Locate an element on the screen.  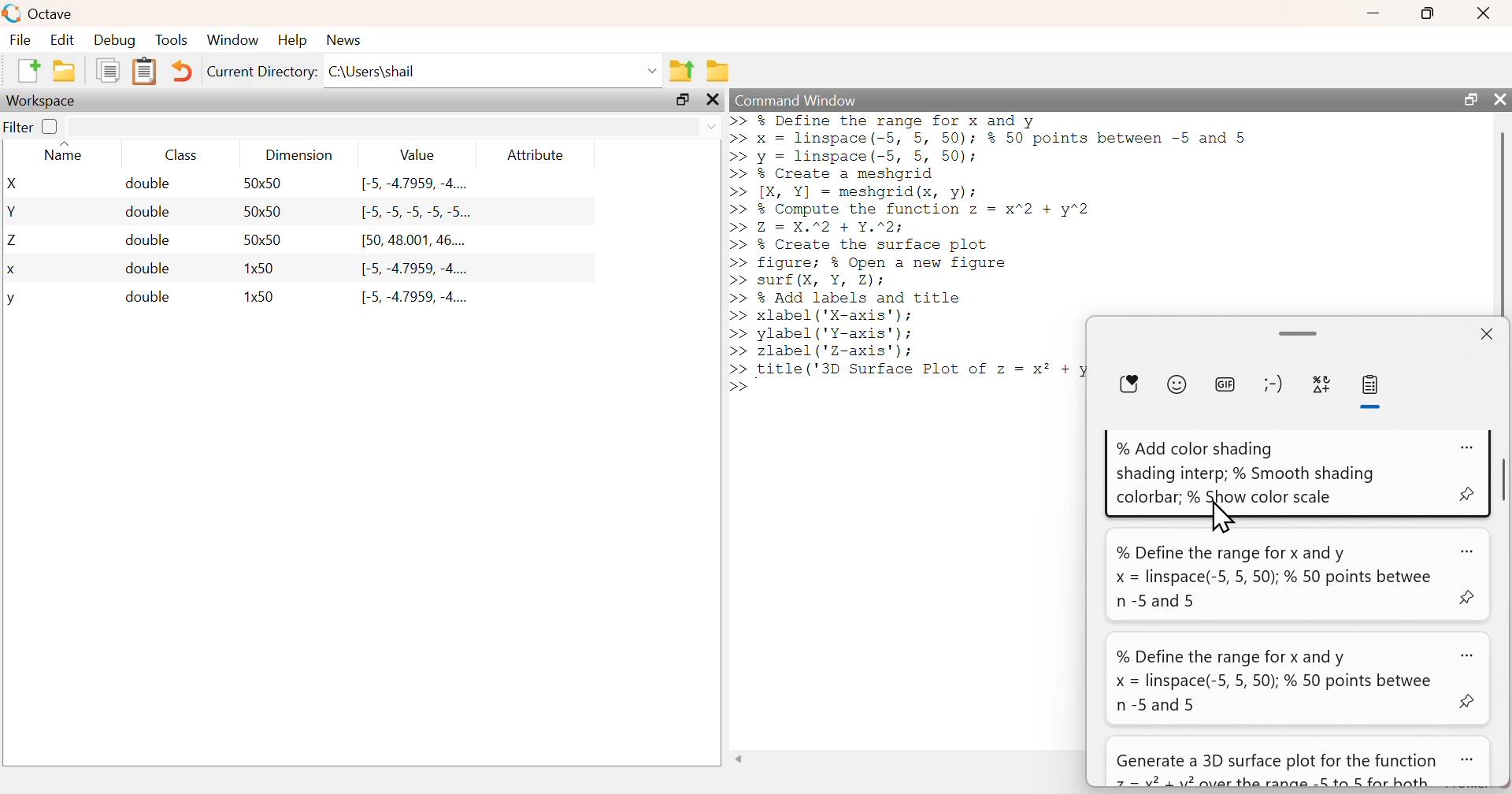
close is located at coordinates (713, 100).